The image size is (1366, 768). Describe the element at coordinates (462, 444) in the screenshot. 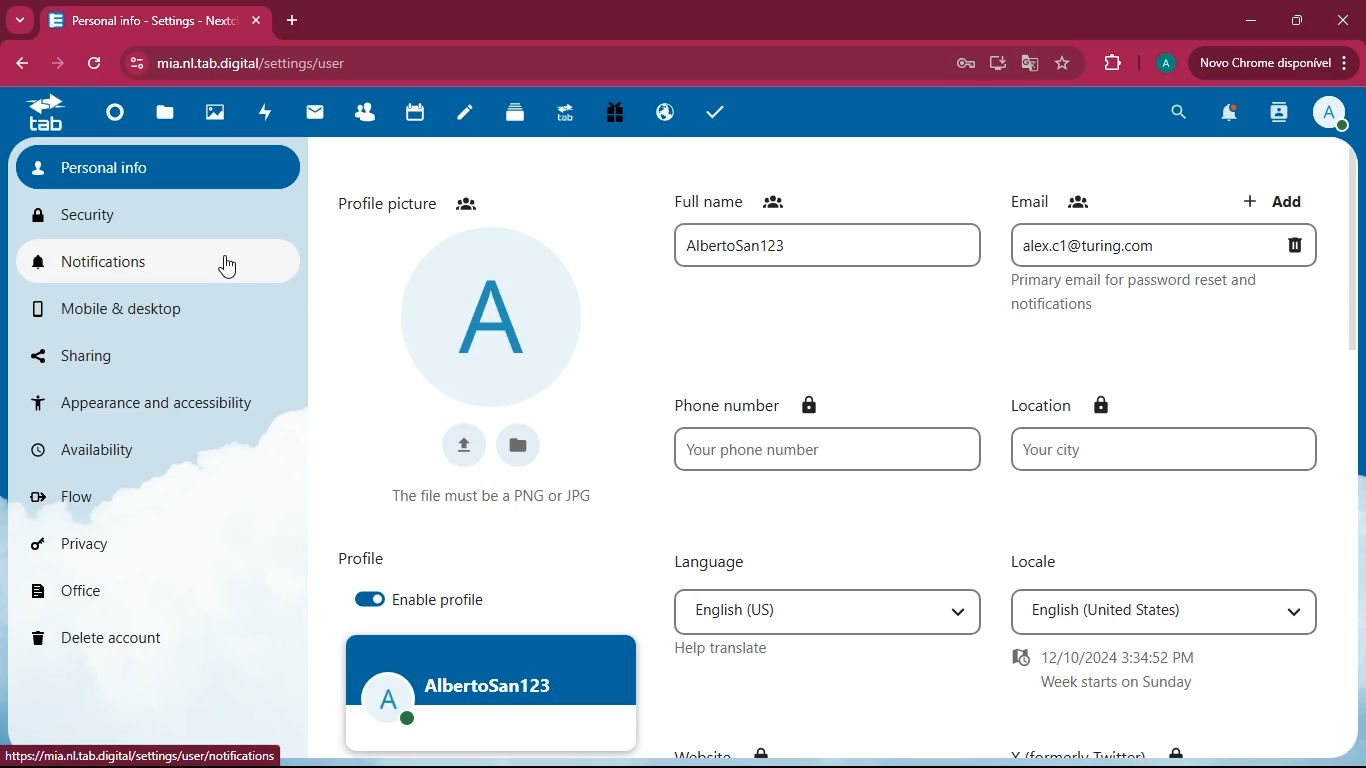

I see `upload` at that location.